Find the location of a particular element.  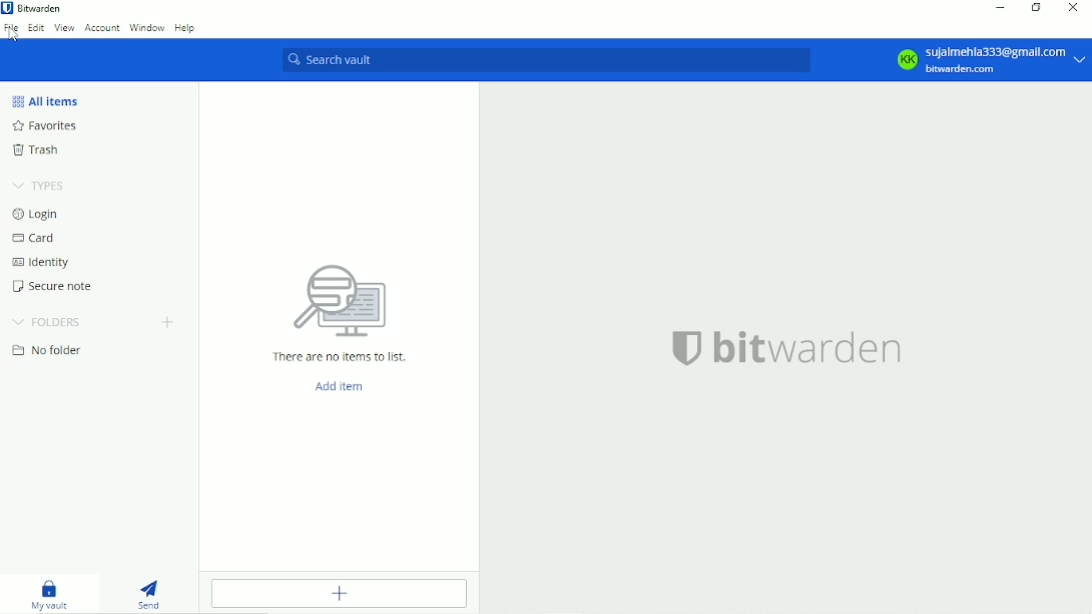

Favorites is located at coordinates (51, 126).